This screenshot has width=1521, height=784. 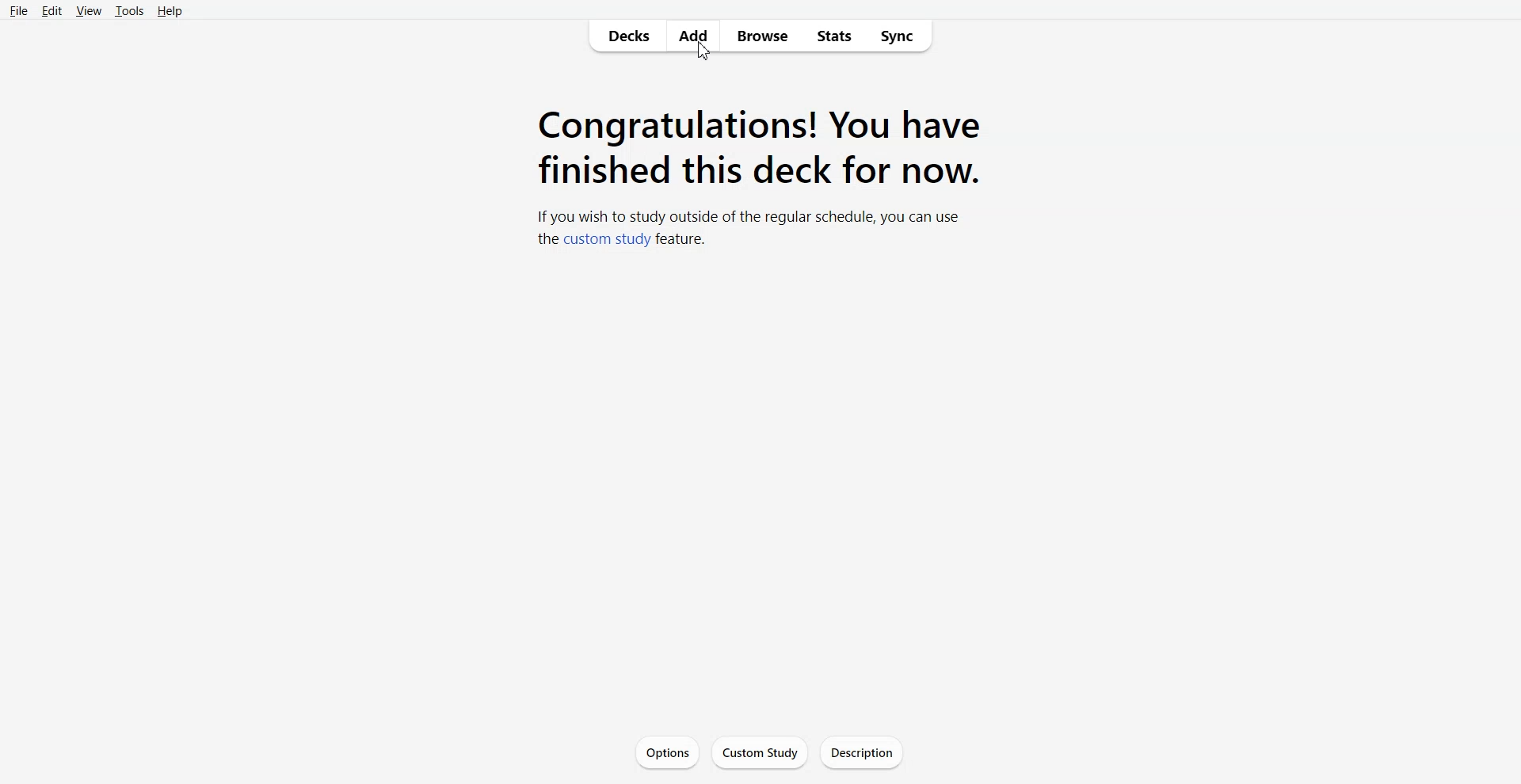 I want to click on cursor, so click(x=702, y=51).